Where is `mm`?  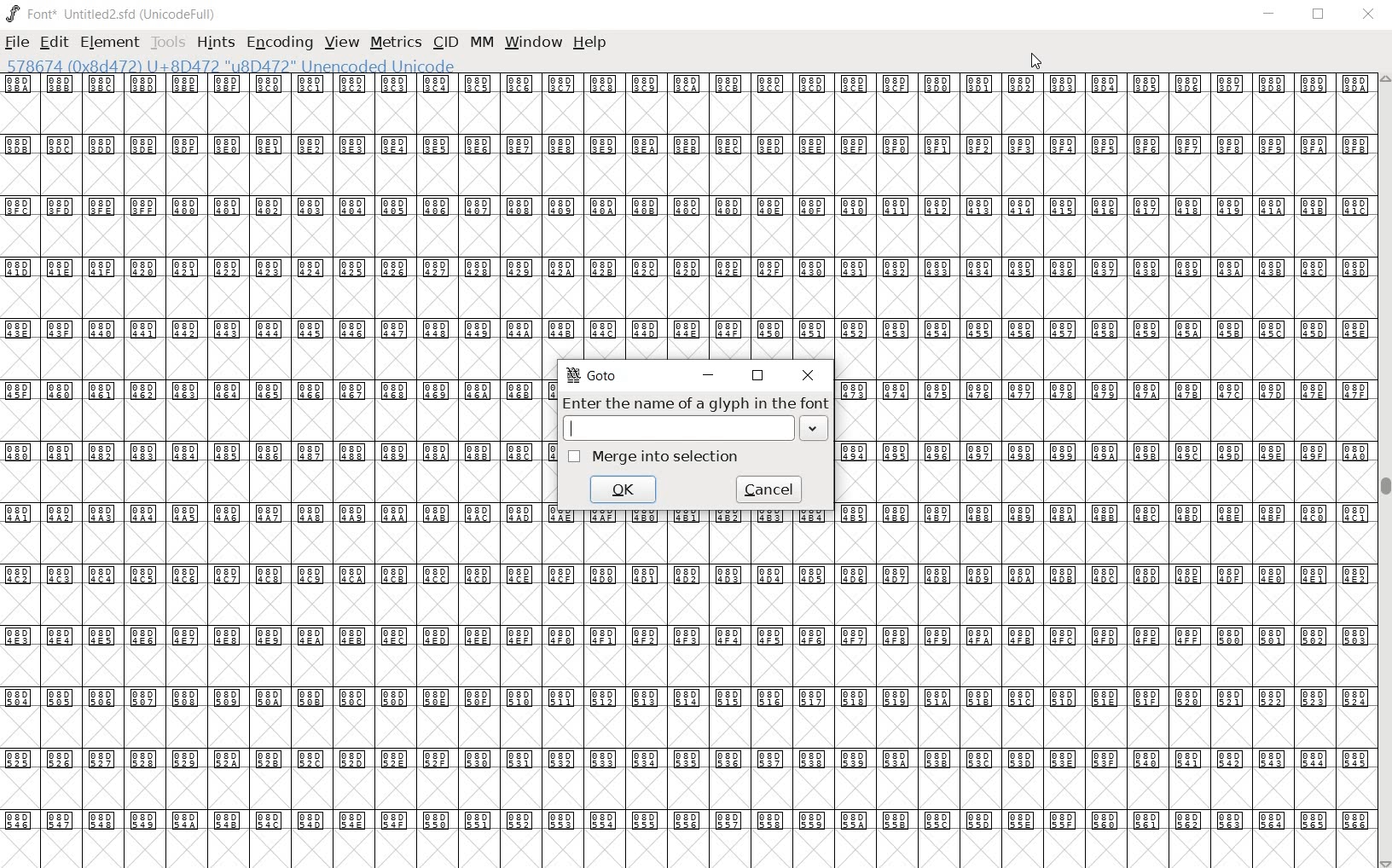
mm is located at coordinates (479, 42).